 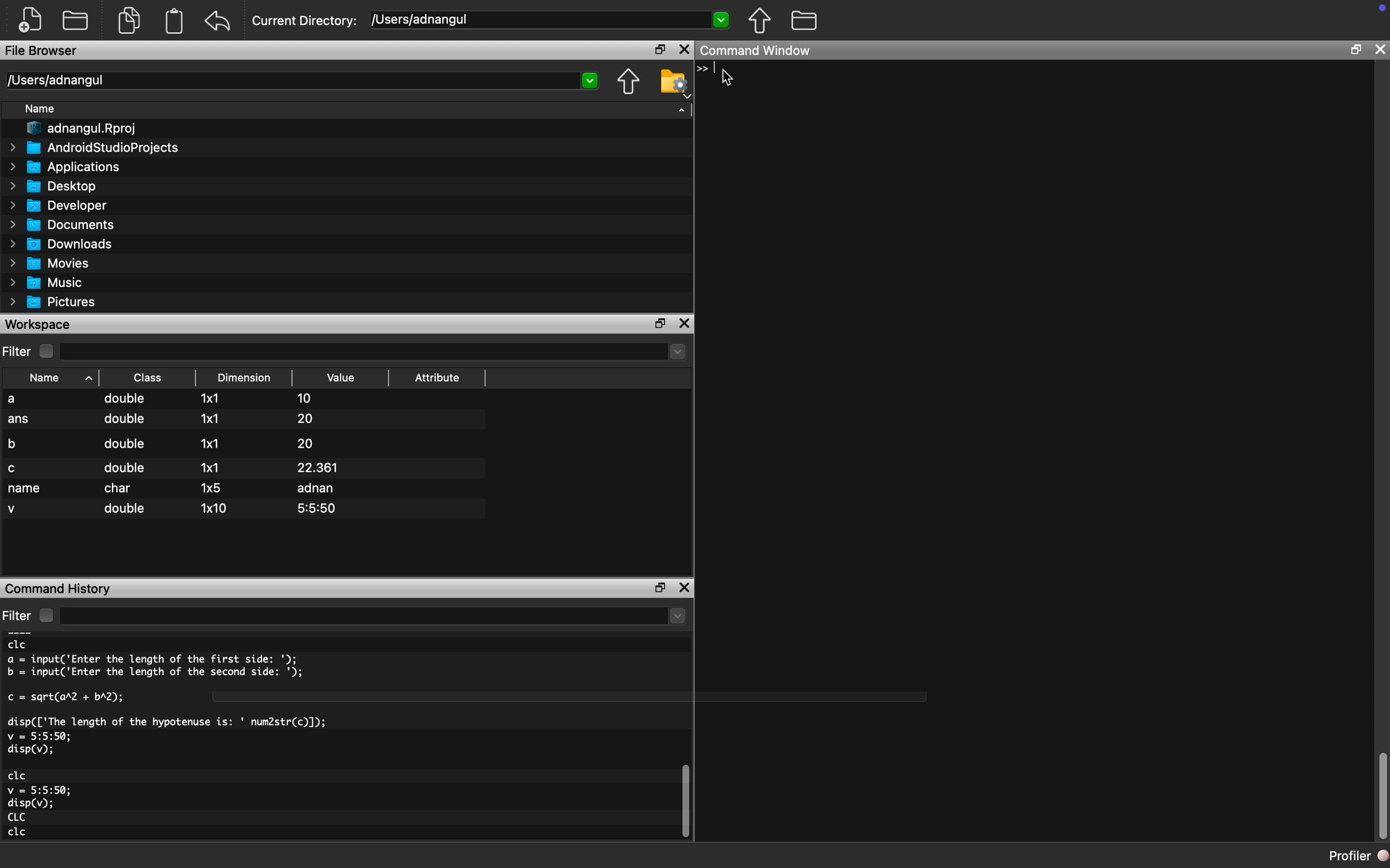 I want to click on >  AndroidStudioProjects, so click(x=94, y=149).